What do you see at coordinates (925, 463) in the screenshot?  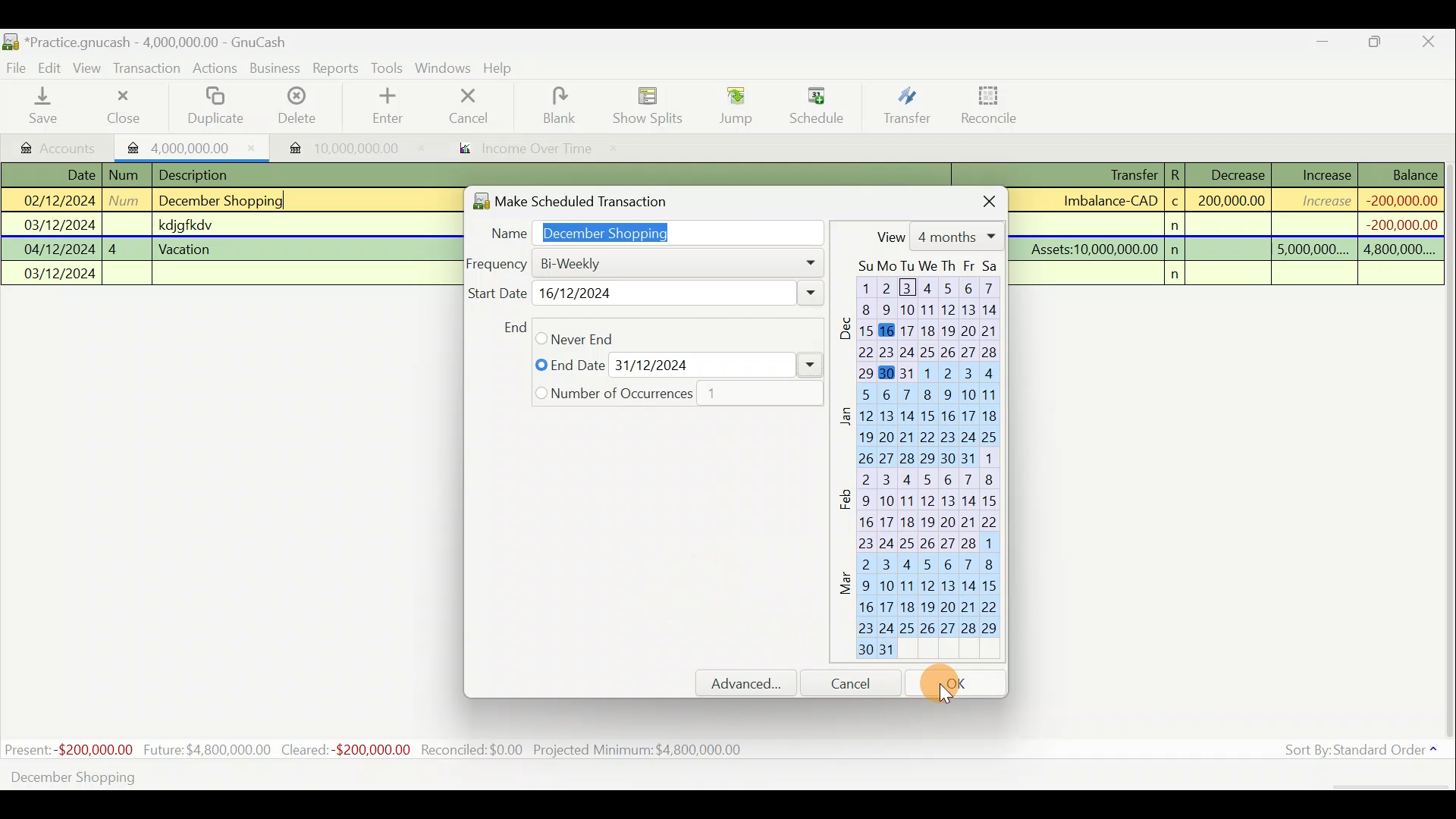 I see `Calendar` at bounding box center [925, 463].